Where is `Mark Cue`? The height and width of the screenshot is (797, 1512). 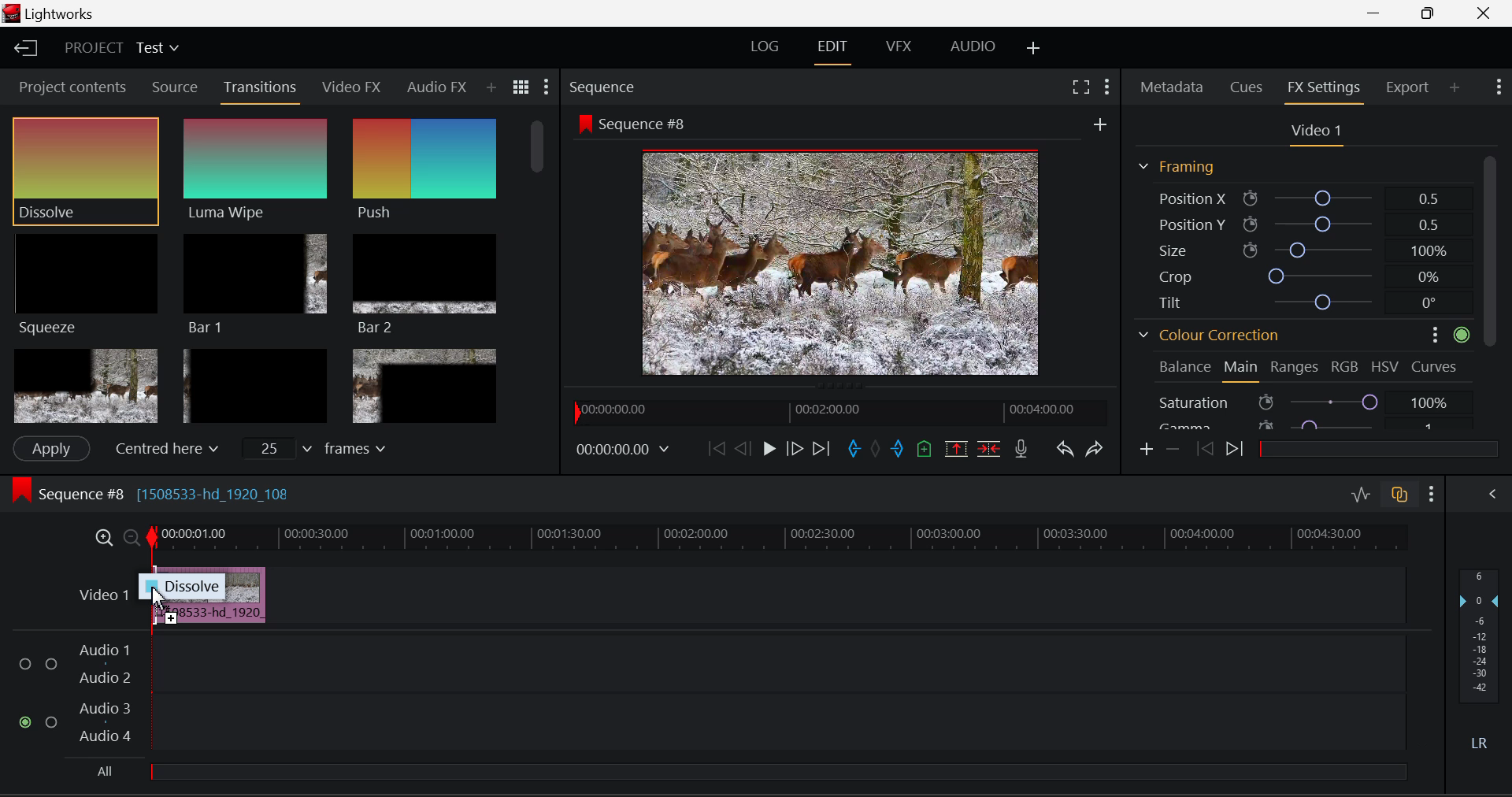 Mark Cue is located at coordinates (925, 450).